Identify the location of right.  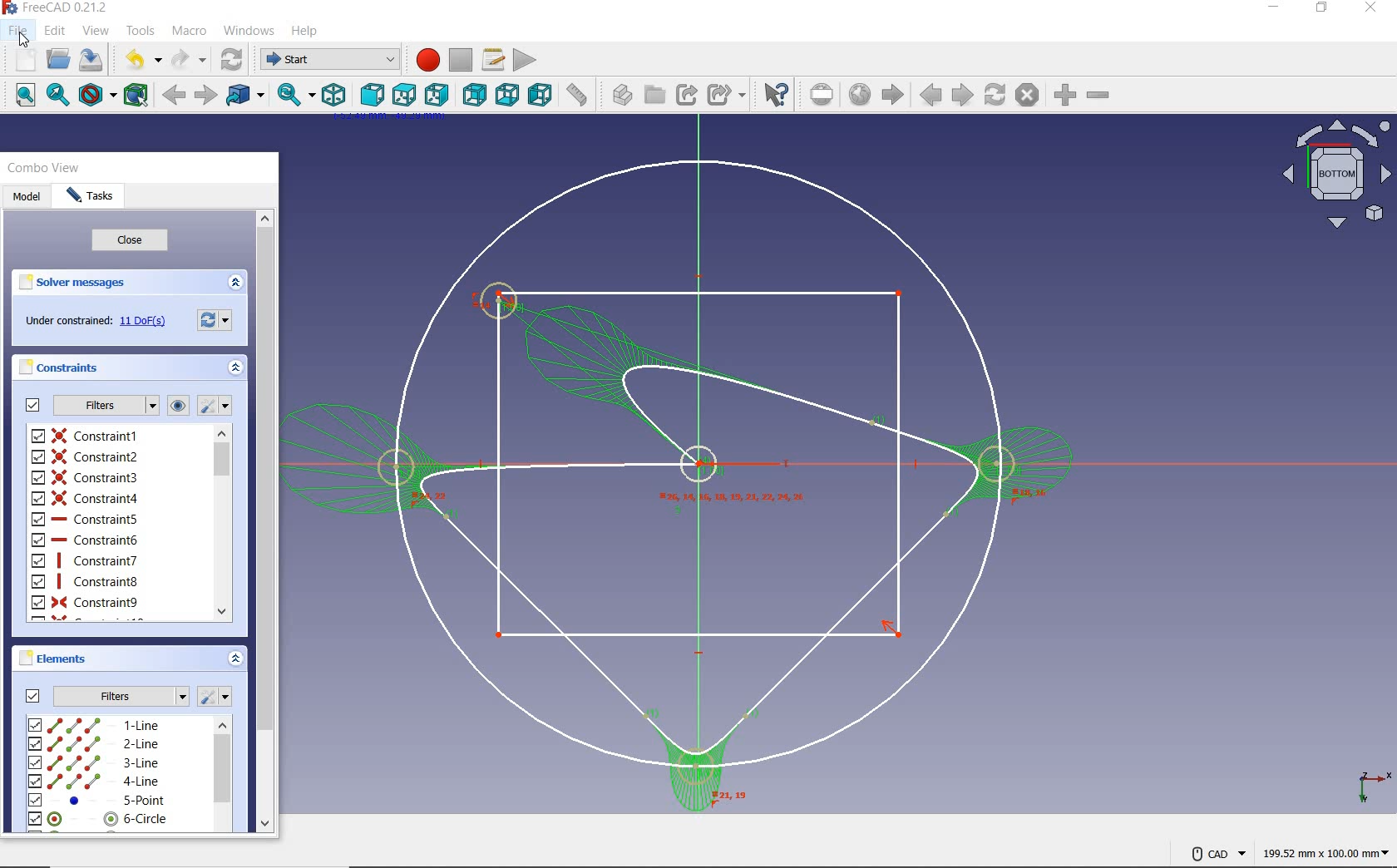
(437, 94).